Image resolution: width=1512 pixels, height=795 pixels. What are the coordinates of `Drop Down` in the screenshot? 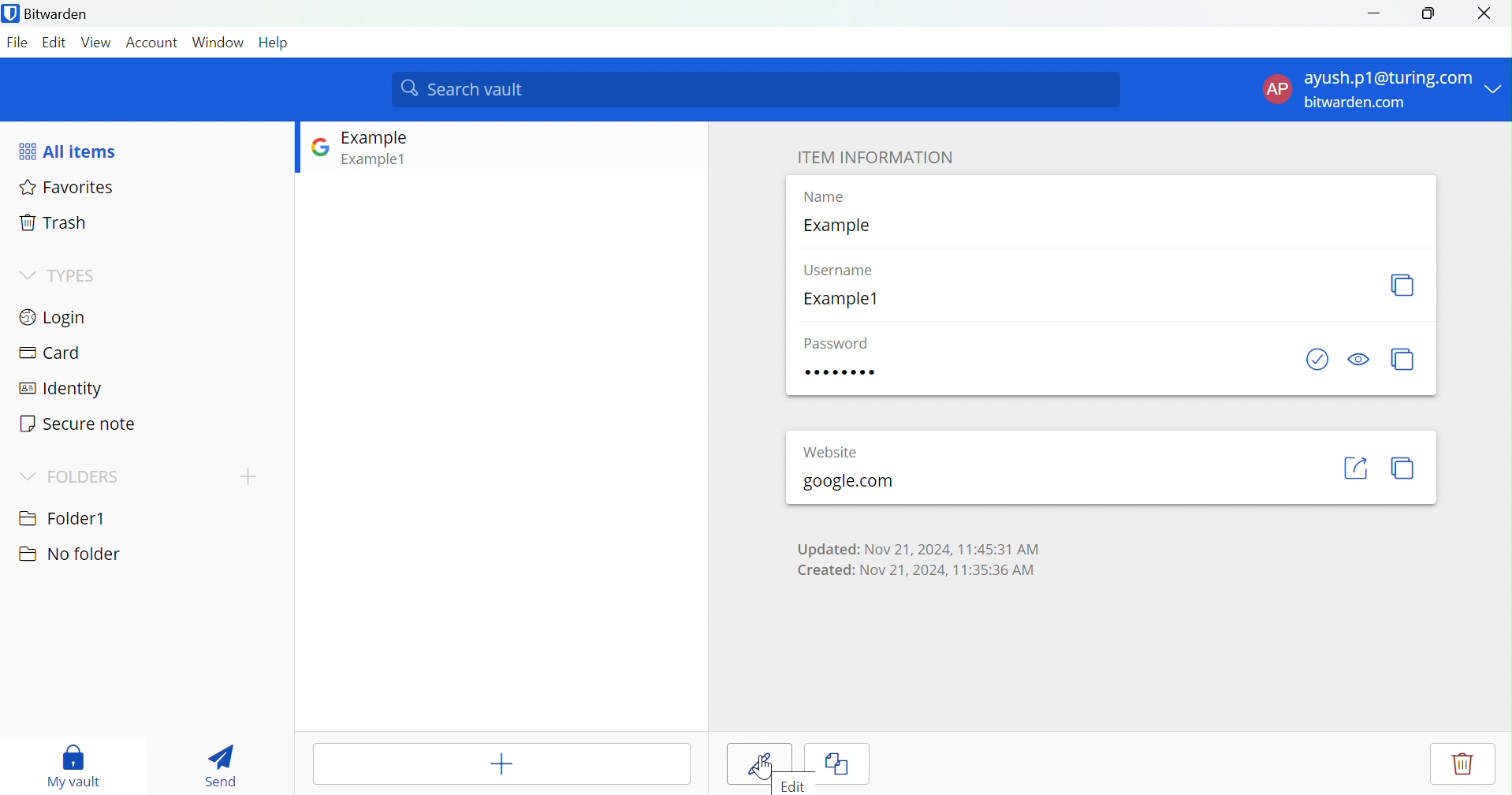 It's located at (1496, 84).